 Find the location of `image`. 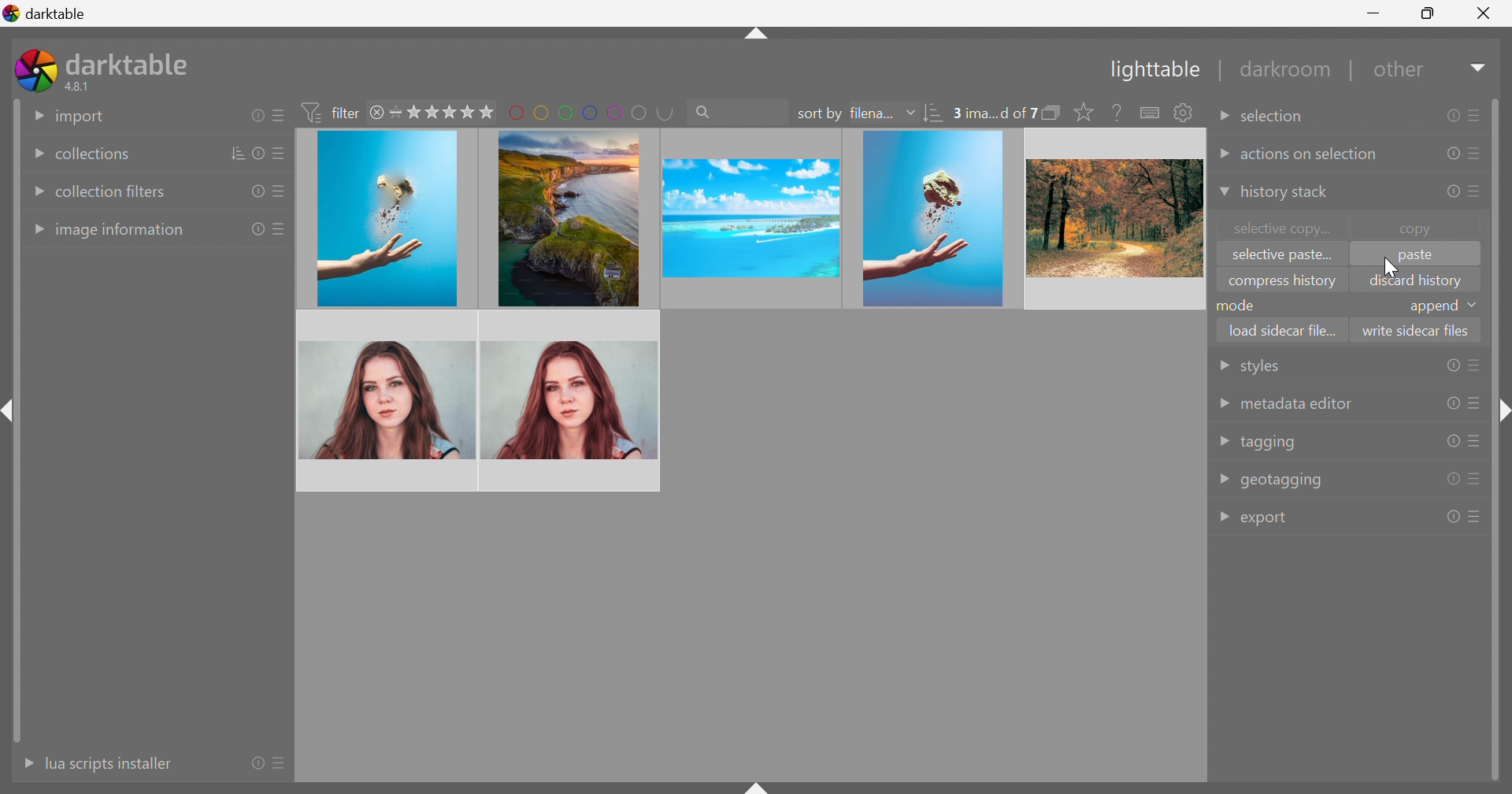

image is located at coordinates (748, 218).